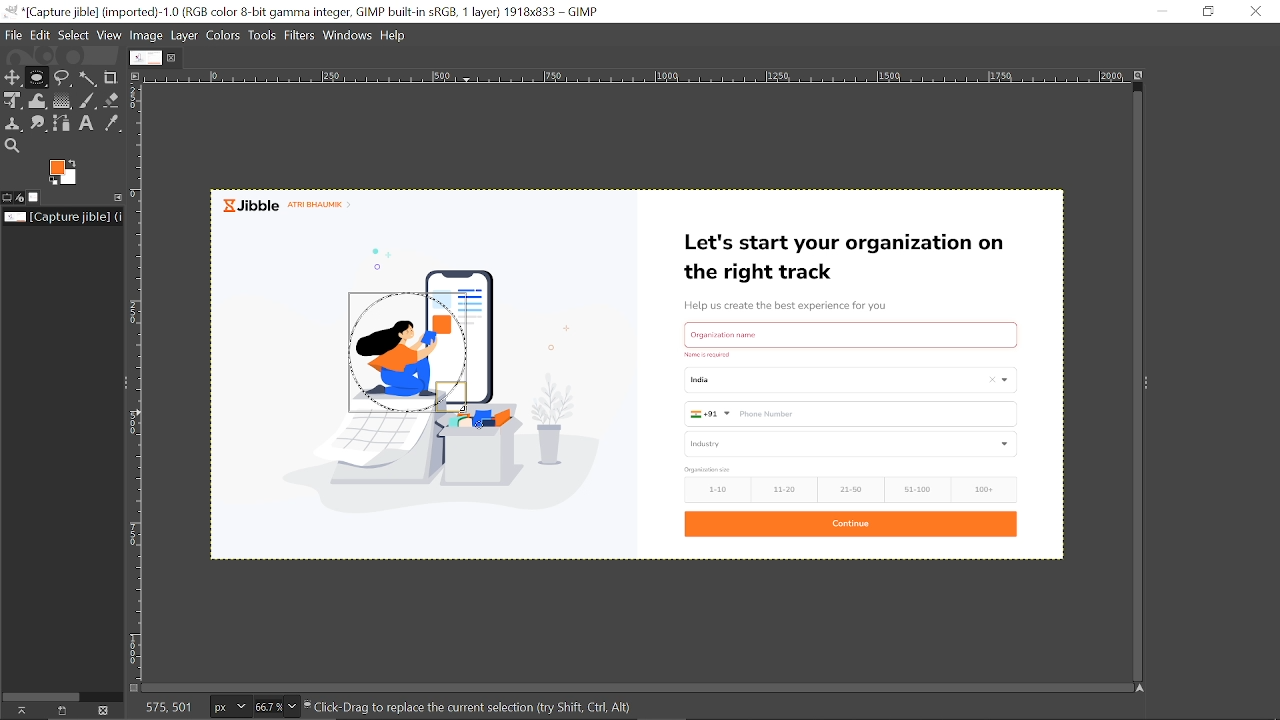 The image size is (1280, 720). I want to click on Zoom options, so click(290, 708).